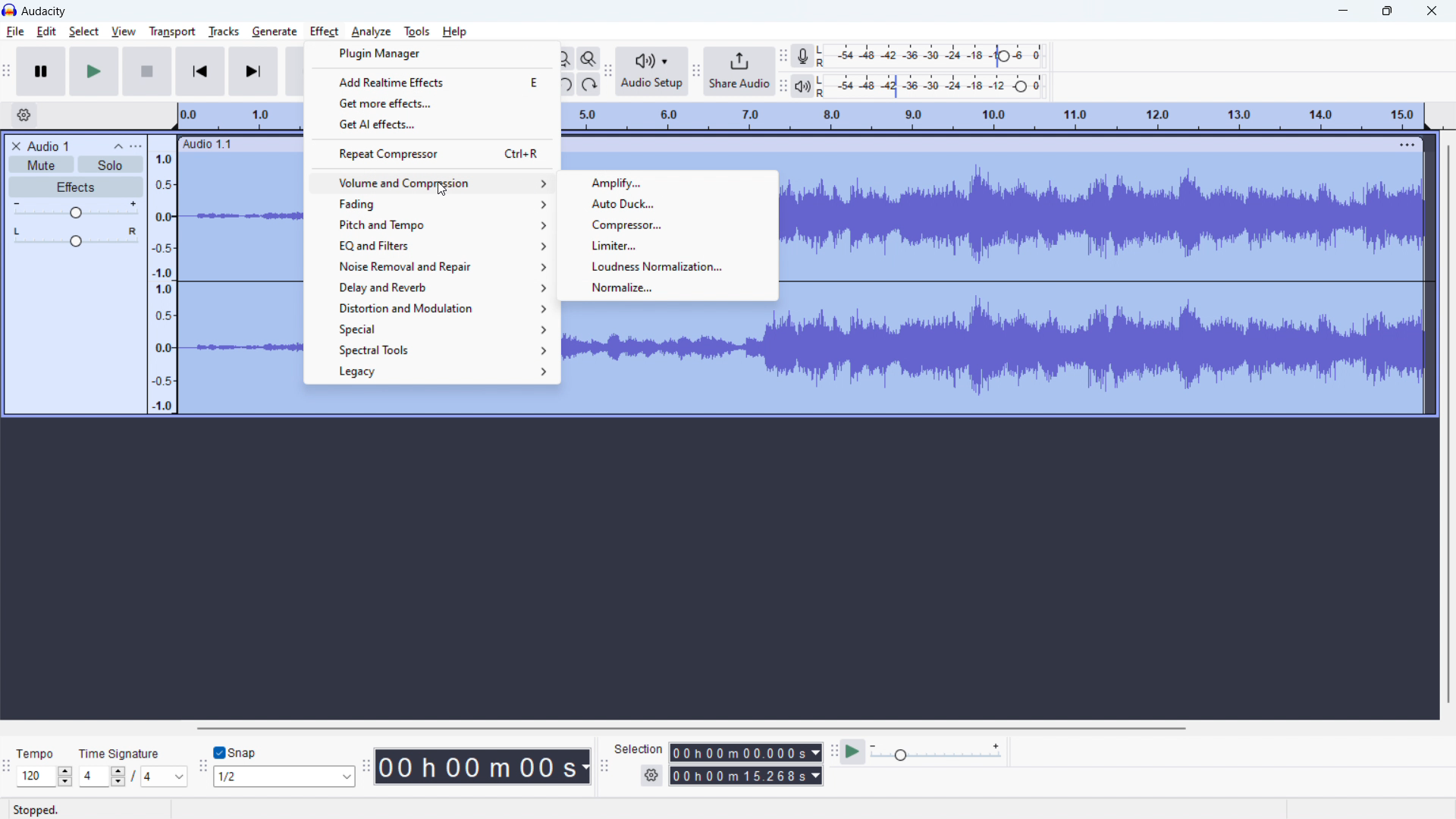  I want to click on settings, so click(651, 776).